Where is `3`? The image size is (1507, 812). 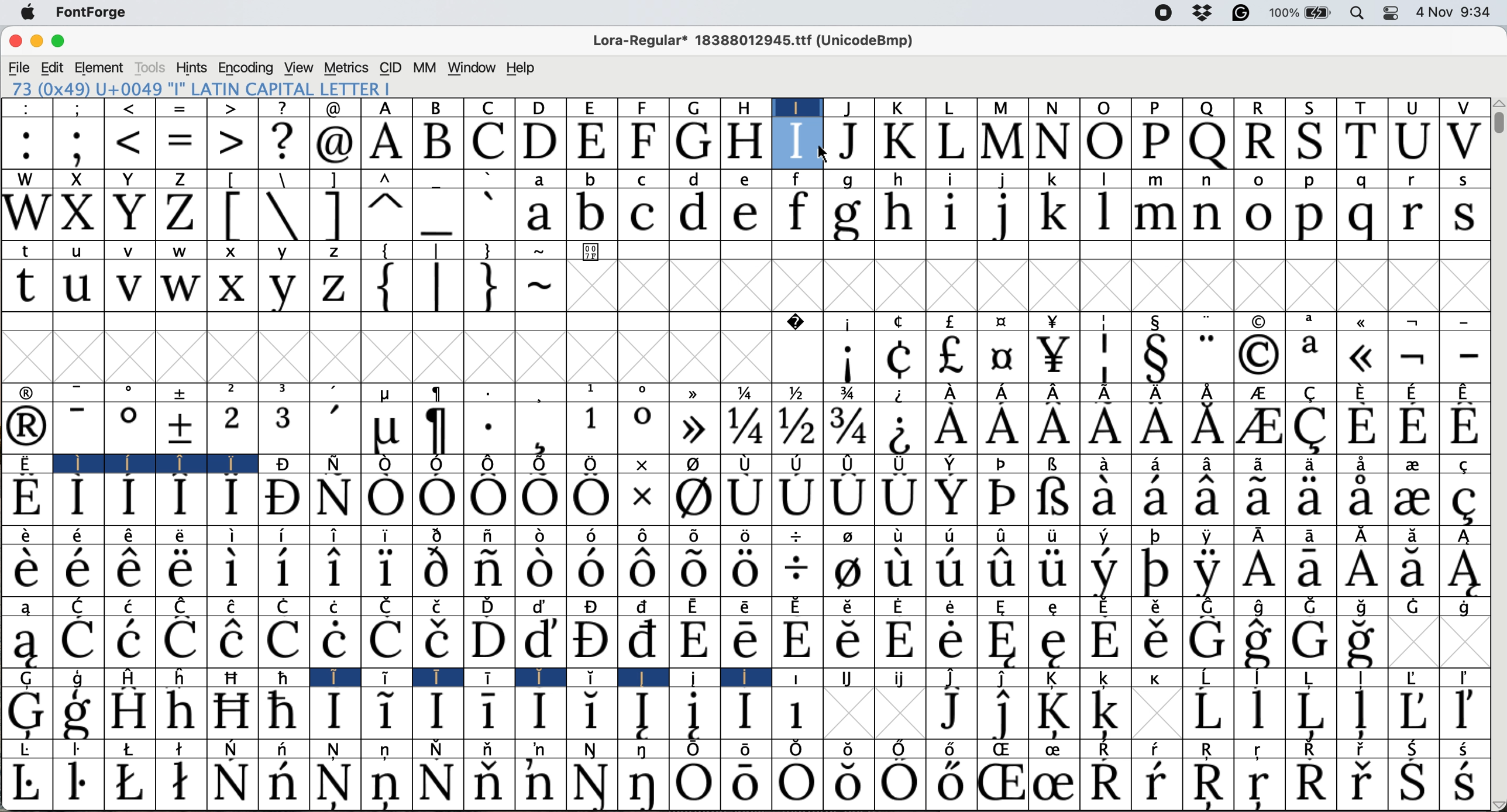 3 is located at coordinates (285, 428).